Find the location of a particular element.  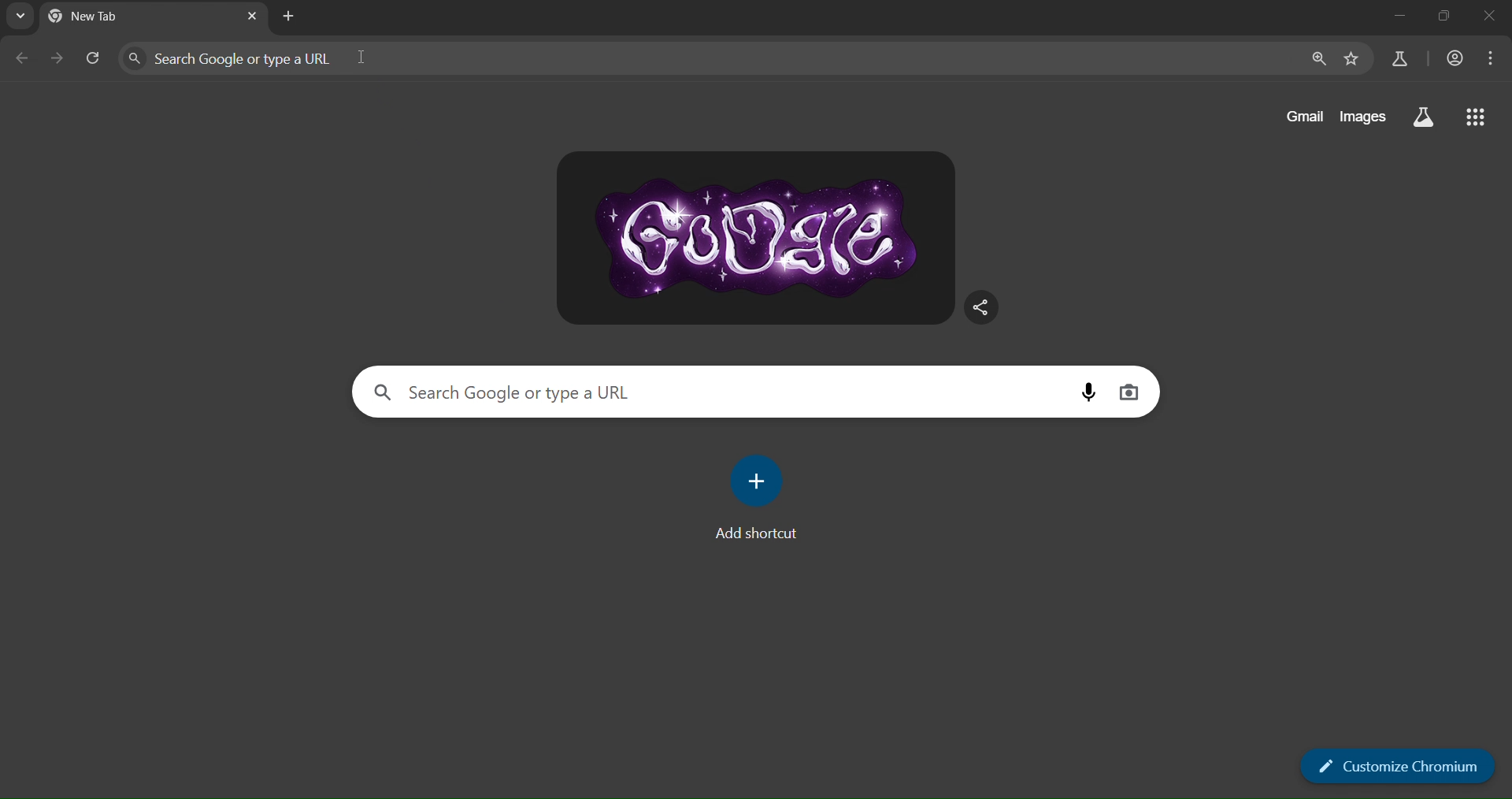

go forward one page is located at coordinates (60, 61).